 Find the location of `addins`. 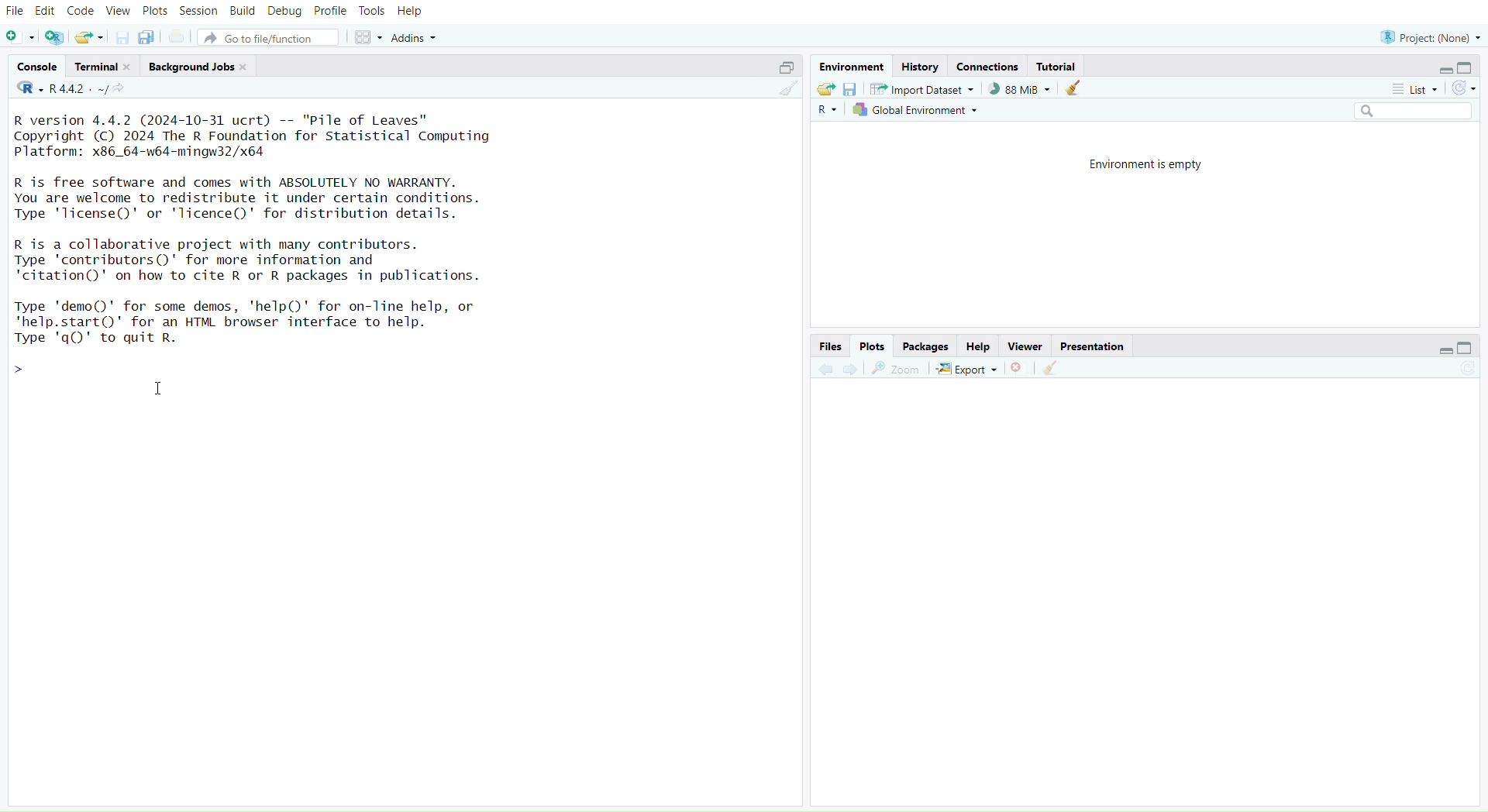

addins is located at coordinates (418, 38).